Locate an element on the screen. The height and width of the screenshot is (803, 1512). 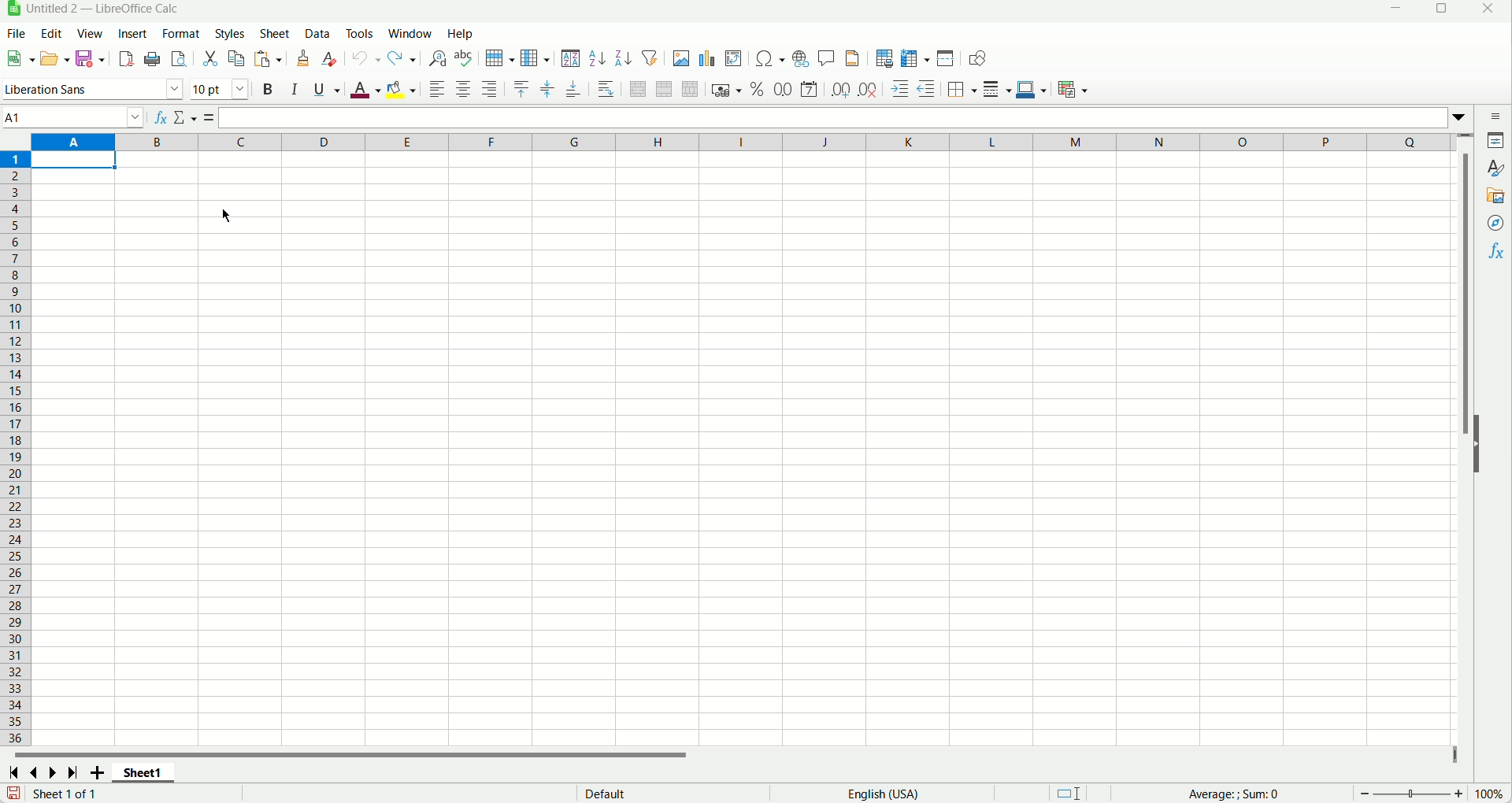
Next sheet is located at coordinates (51, 774).